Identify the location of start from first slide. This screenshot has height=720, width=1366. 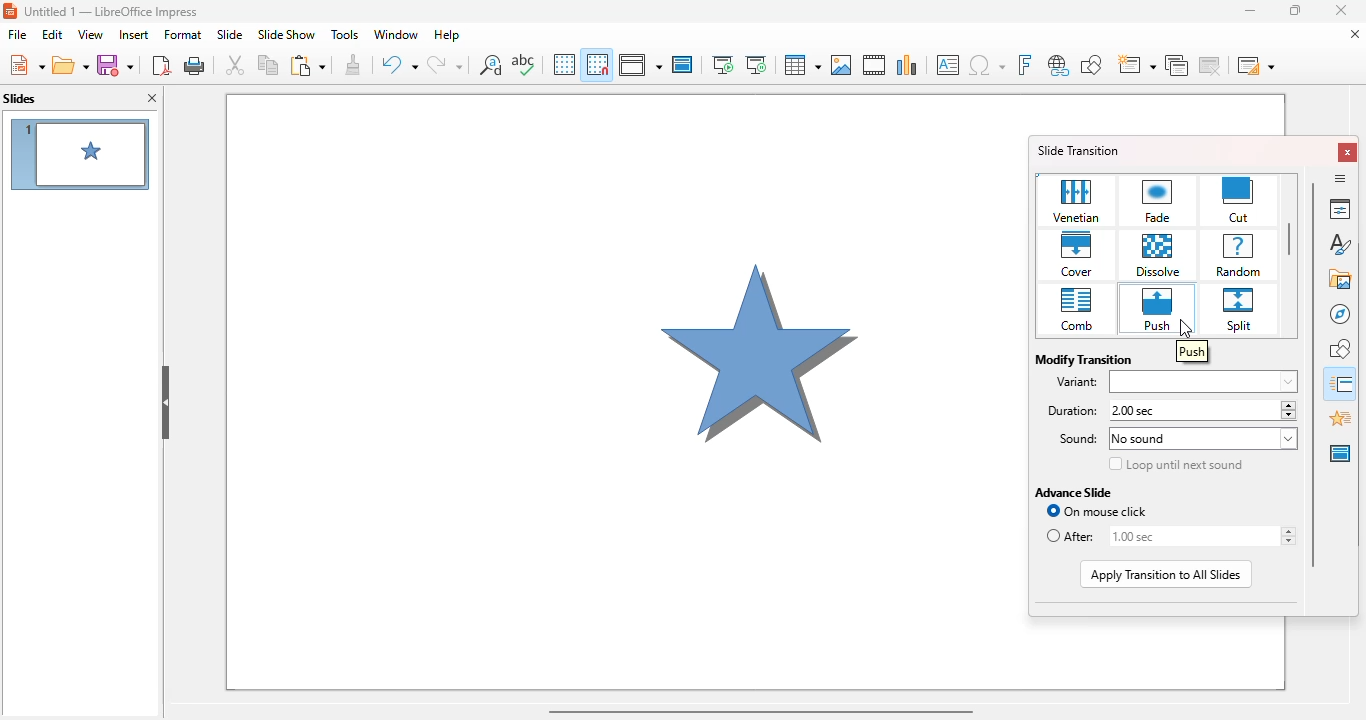
(724, 65).